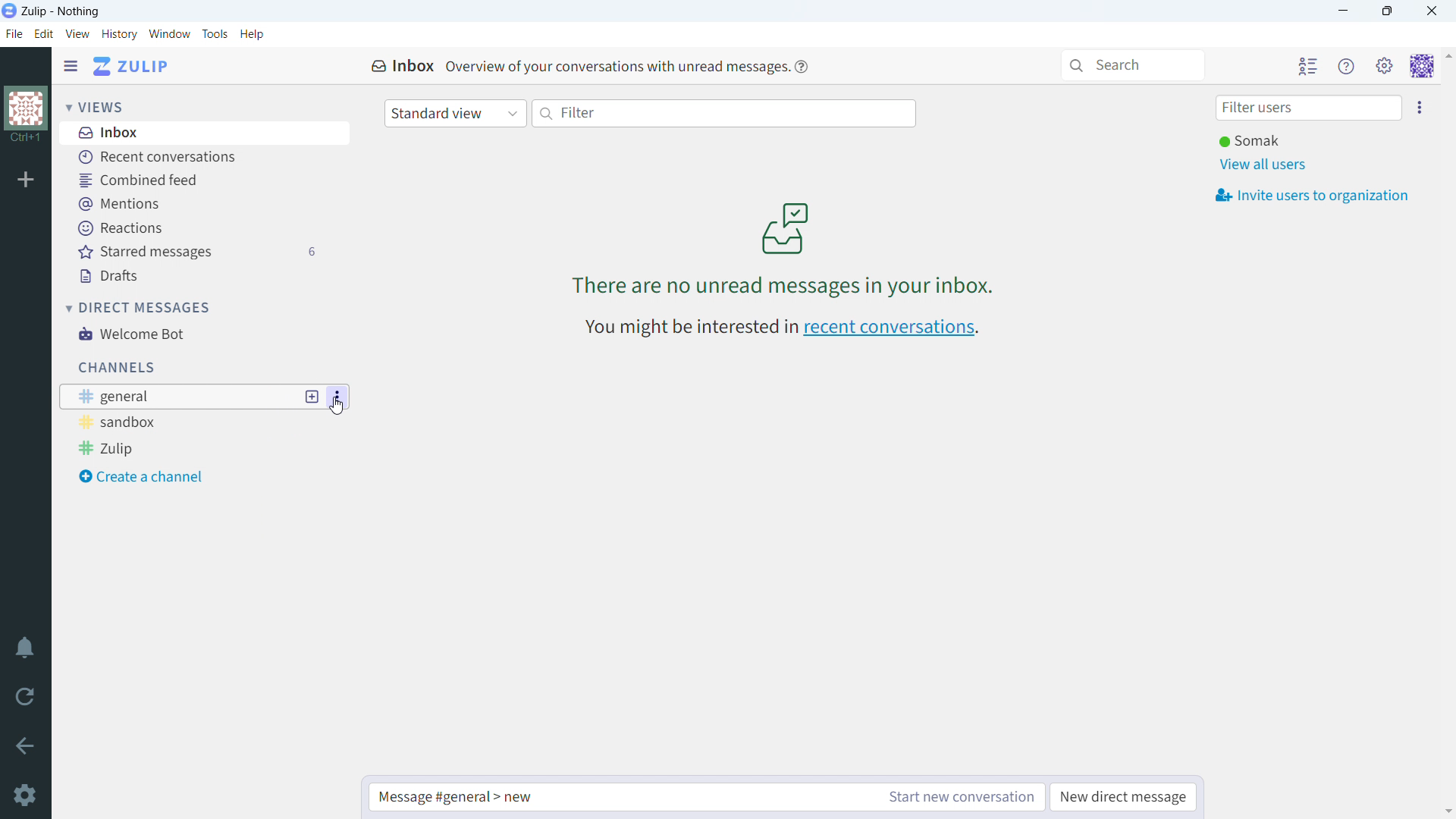  Describe the element at coordinates (802, 67) in the screenshot. I see `help` at that location.